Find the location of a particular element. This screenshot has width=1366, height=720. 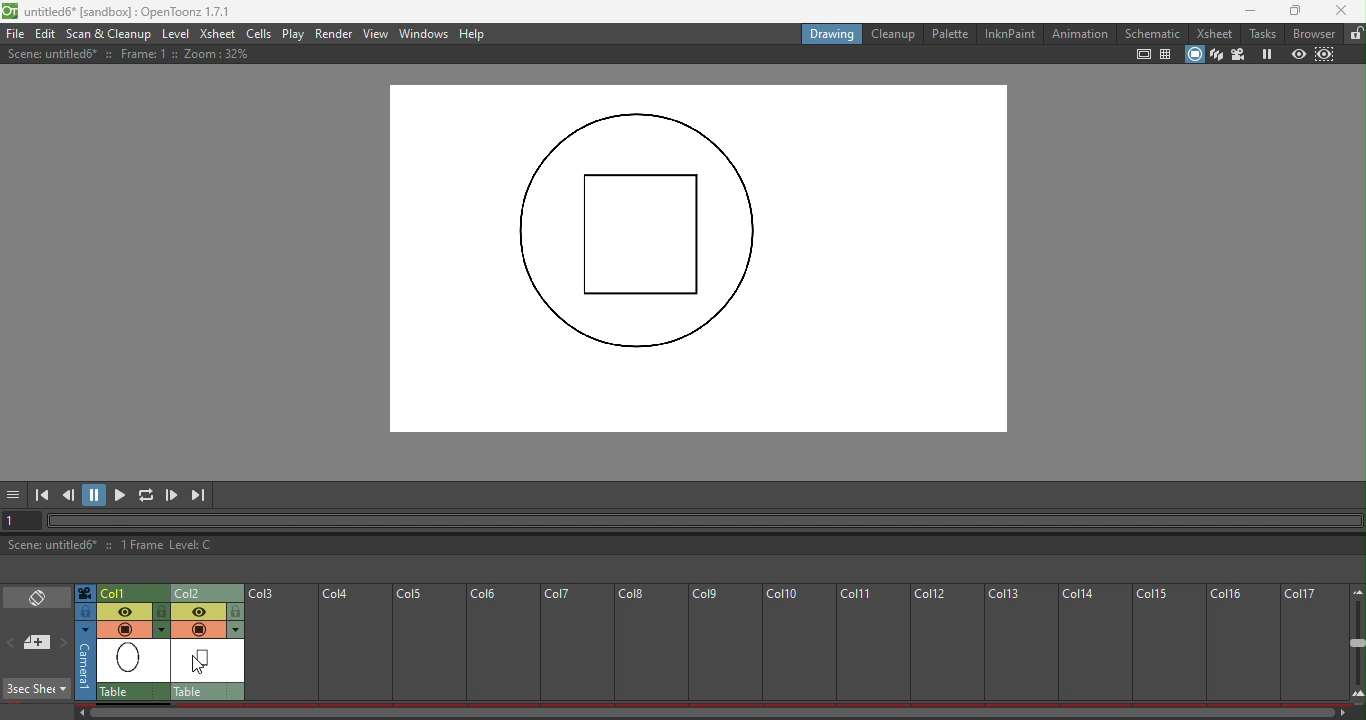

Maximize is located at coordinates (1290, 12).